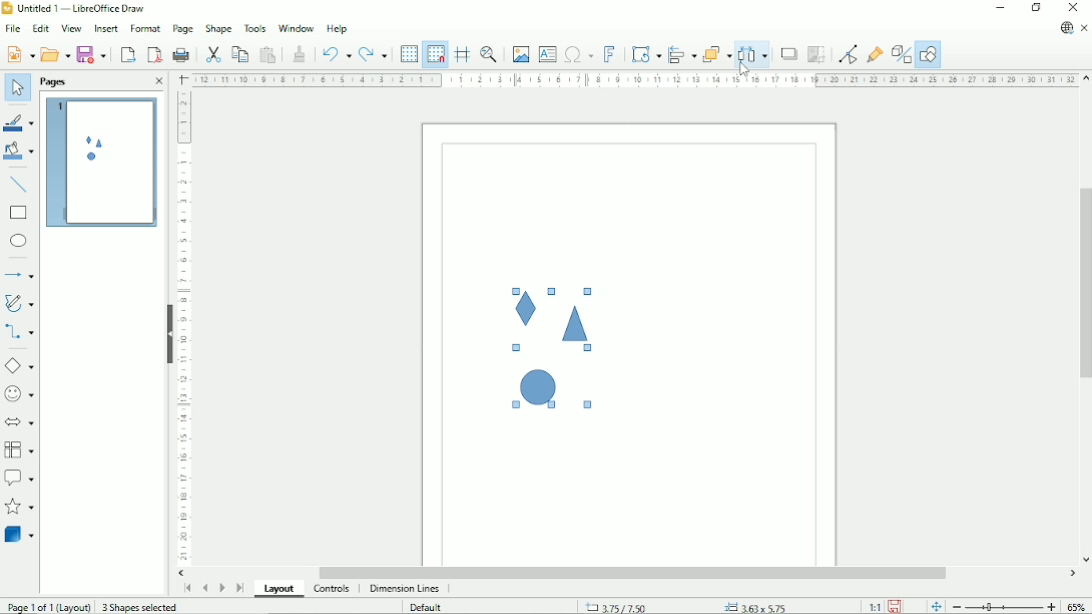 The width and height of the screenshot is (1092, 614). Describe the element at coordinates (94, 53) in the screenshot. I see `Save` at that location.